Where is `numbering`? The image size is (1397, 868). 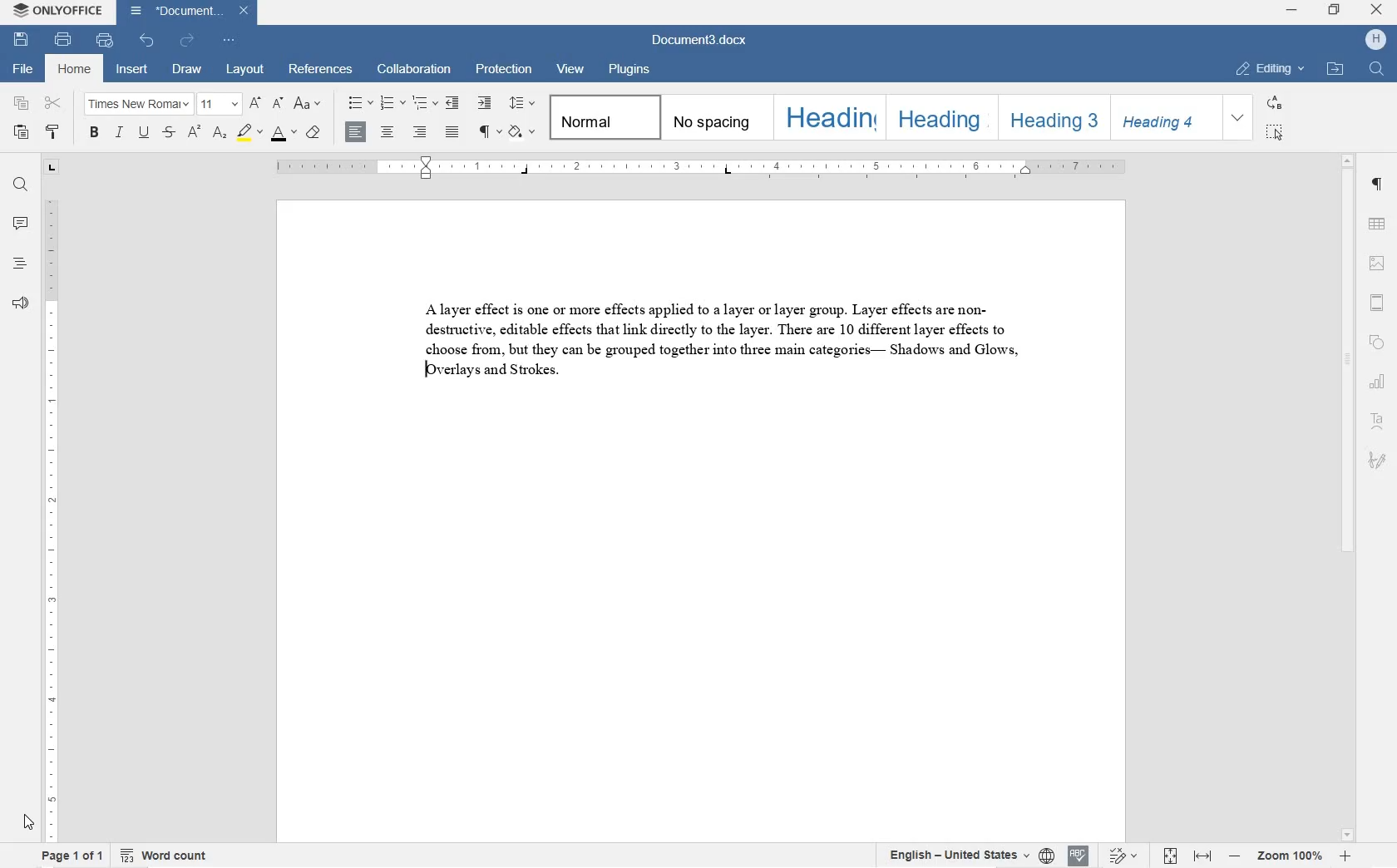
numbering is located at coordinates (392, 104).